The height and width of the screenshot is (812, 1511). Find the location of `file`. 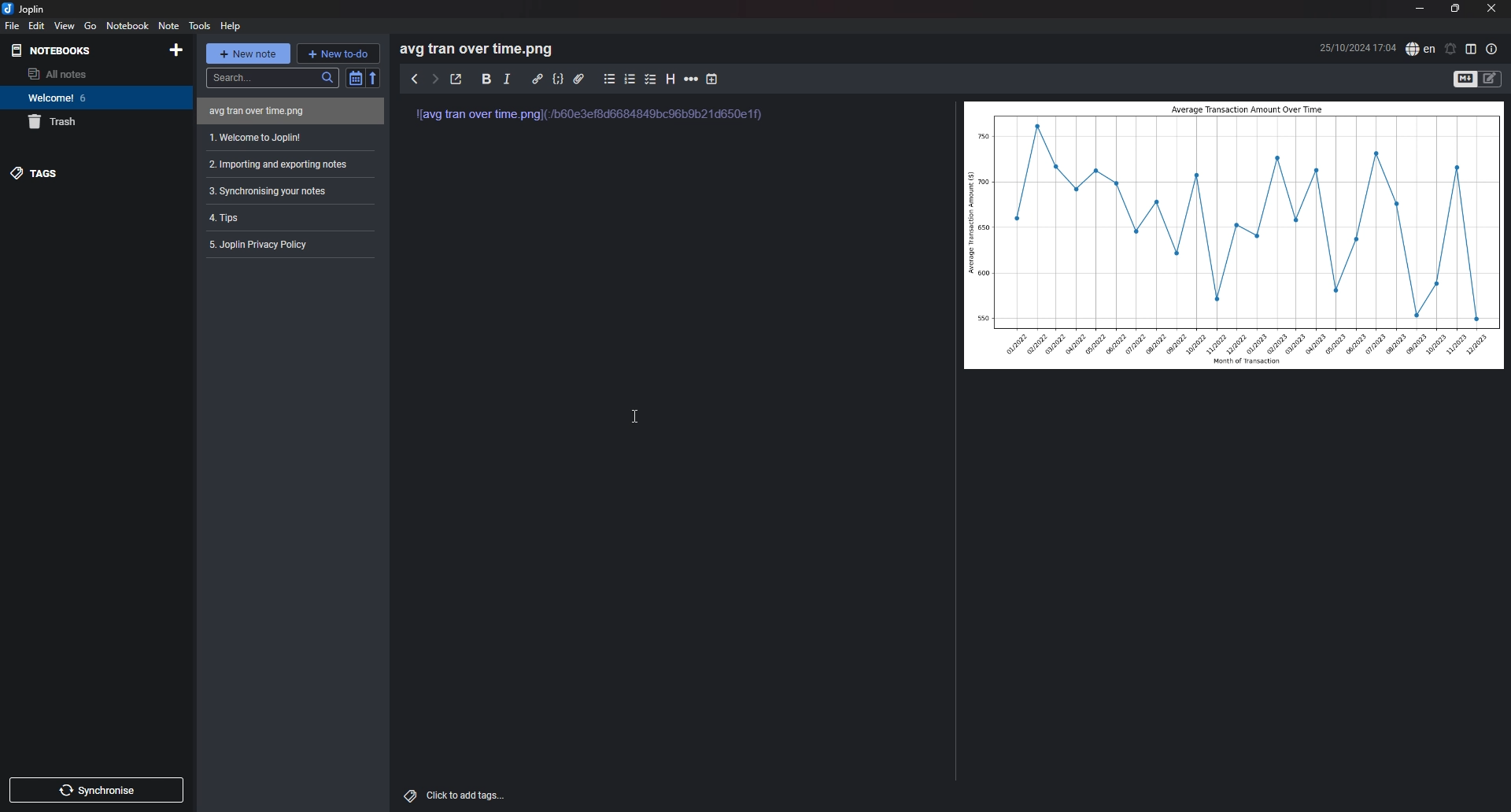

file is located at coordinates (13, 25).